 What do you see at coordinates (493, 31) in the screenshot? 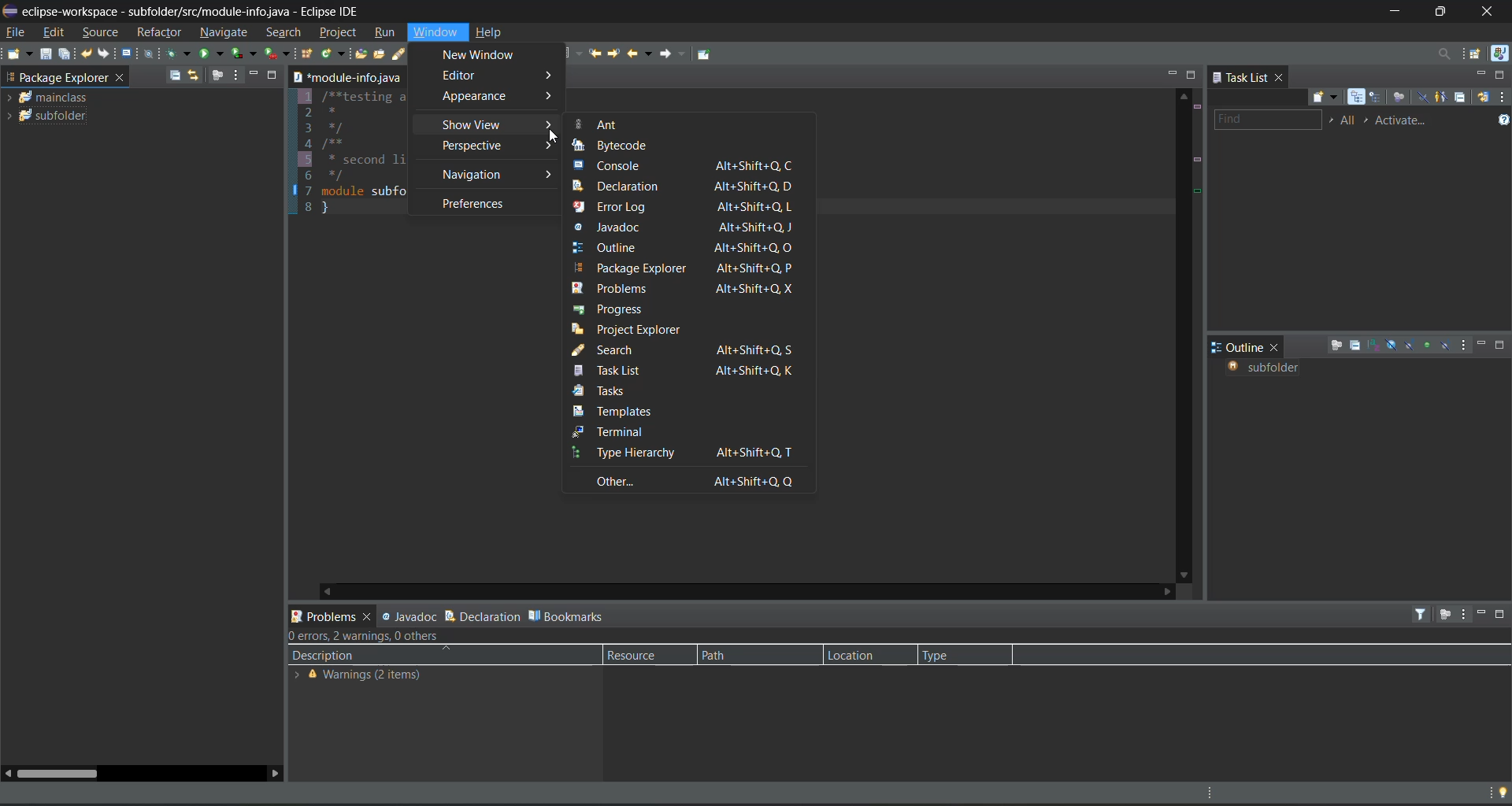
I see `help` at bounding box center [493, 31].